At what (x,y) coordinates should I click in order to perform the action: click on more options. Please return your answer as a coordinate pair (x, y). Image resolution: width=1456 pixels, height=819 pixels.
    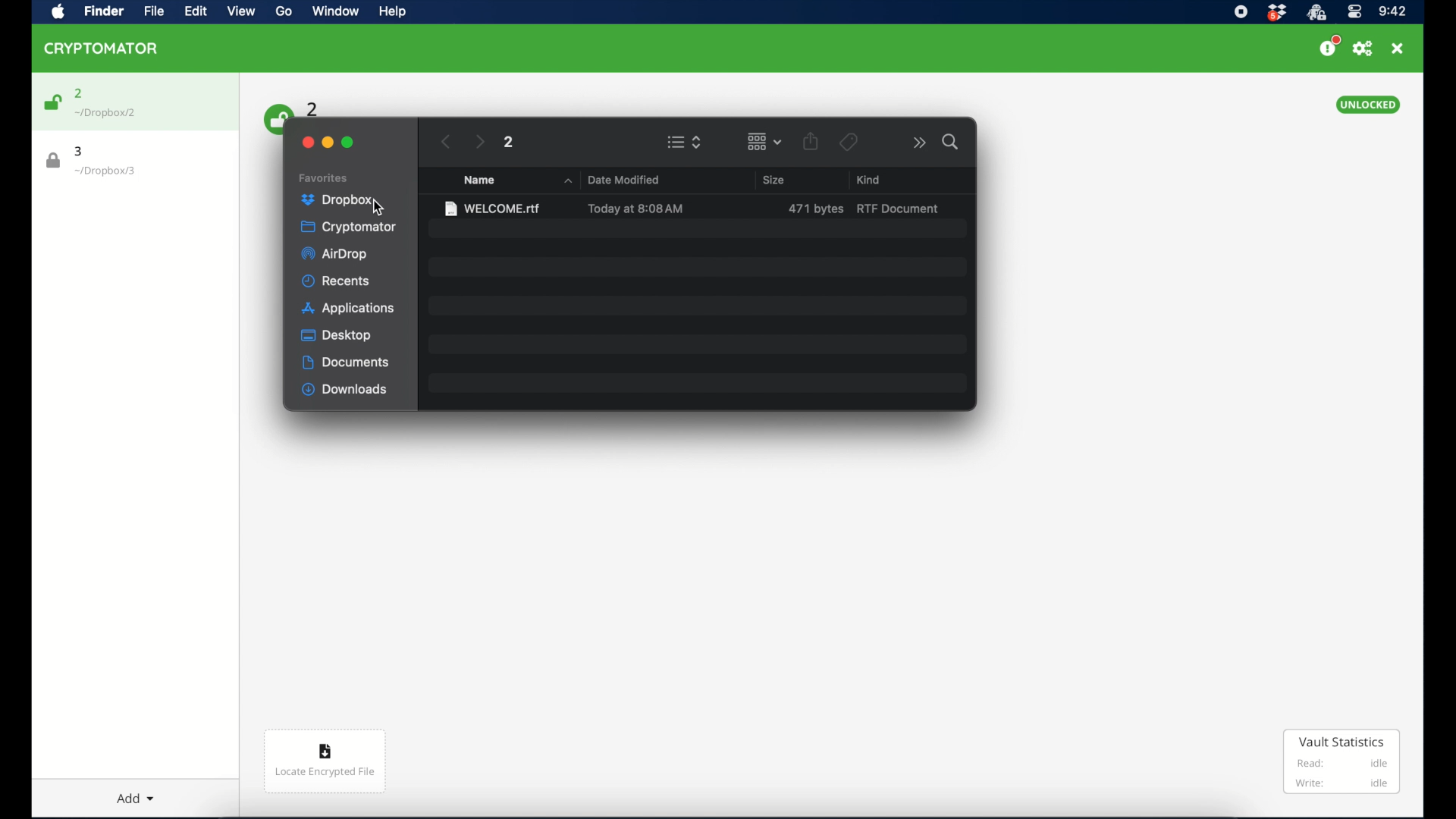
    Looking at the image, I should click on (920, 143).